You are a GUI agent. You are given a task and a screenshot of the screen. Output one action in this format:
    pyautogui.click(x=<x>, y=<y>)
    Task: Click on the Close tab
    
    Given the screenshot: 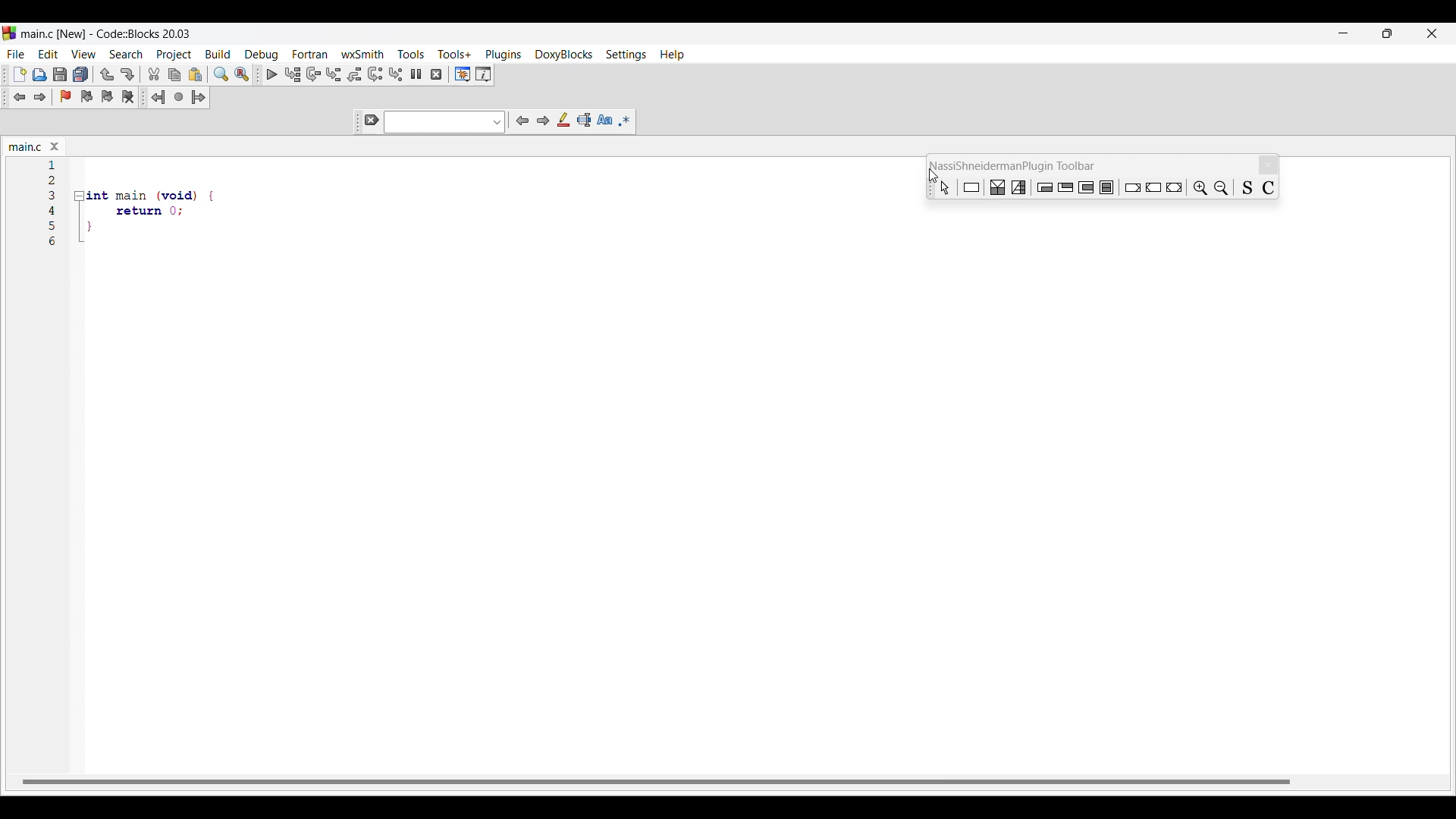 What is the action you would take?
    pyautogui.click(x=55, y=146)
    